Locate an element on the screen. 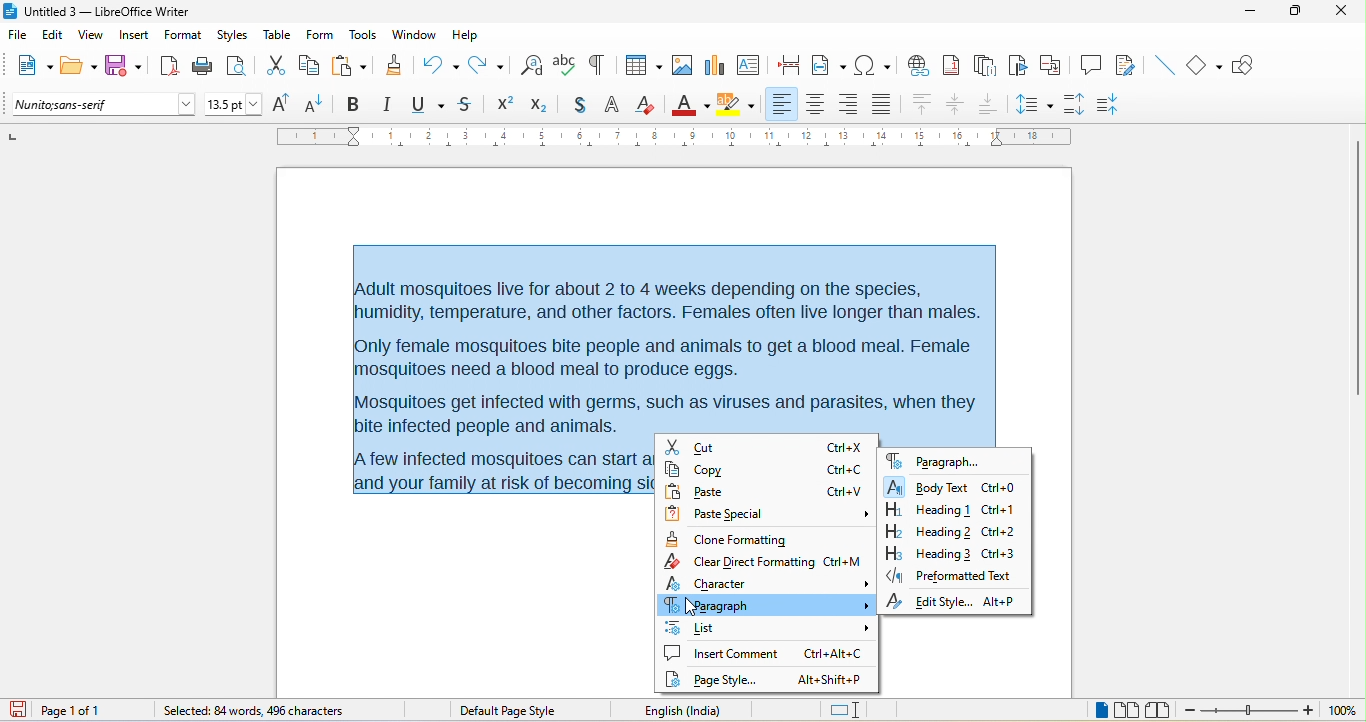 This screenshot has height=722, width=1366. multiple page view is located at coordinates (1127, 711).